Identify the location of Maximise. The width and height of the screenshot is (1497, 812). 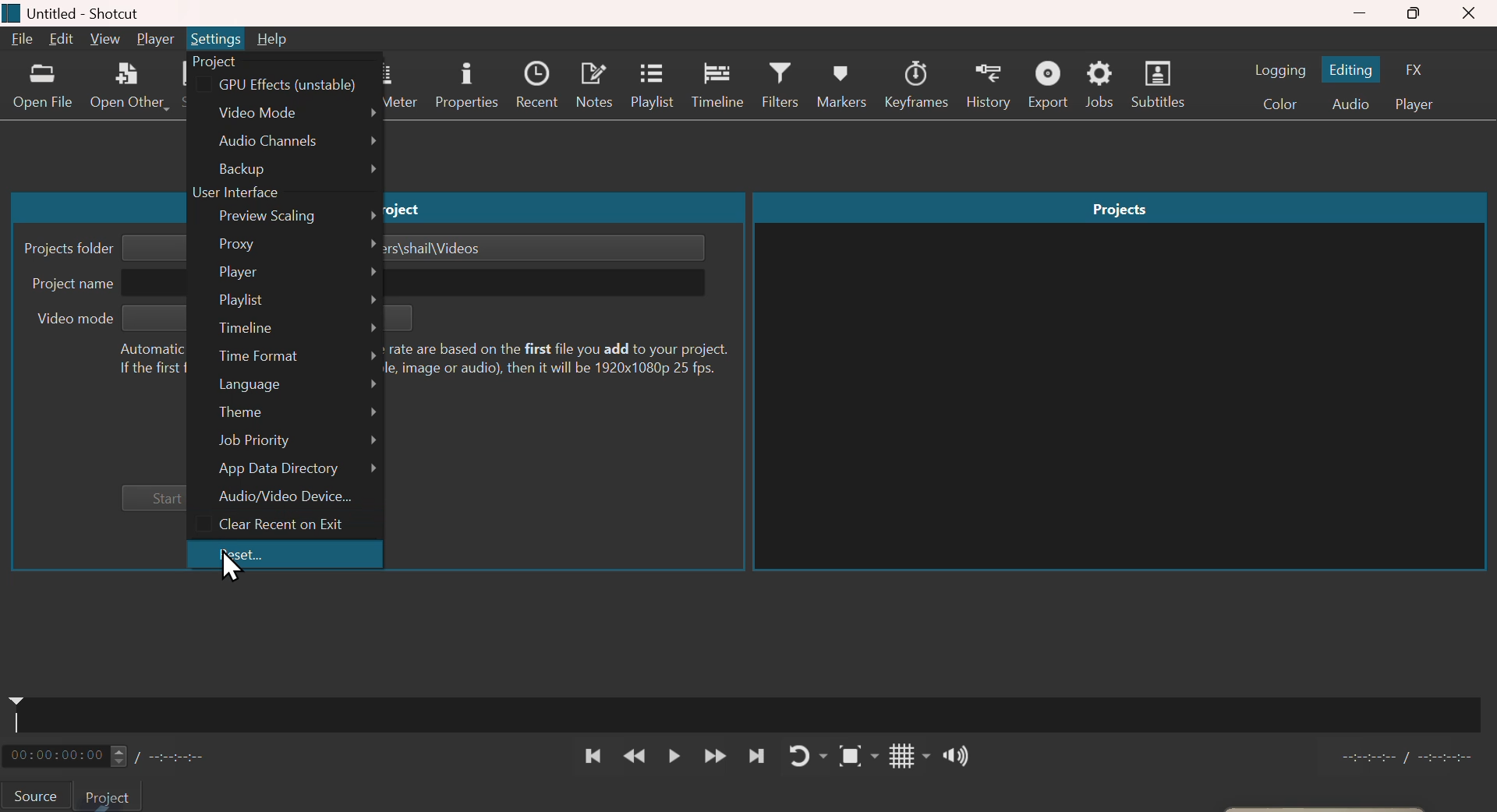
(1414, 14).